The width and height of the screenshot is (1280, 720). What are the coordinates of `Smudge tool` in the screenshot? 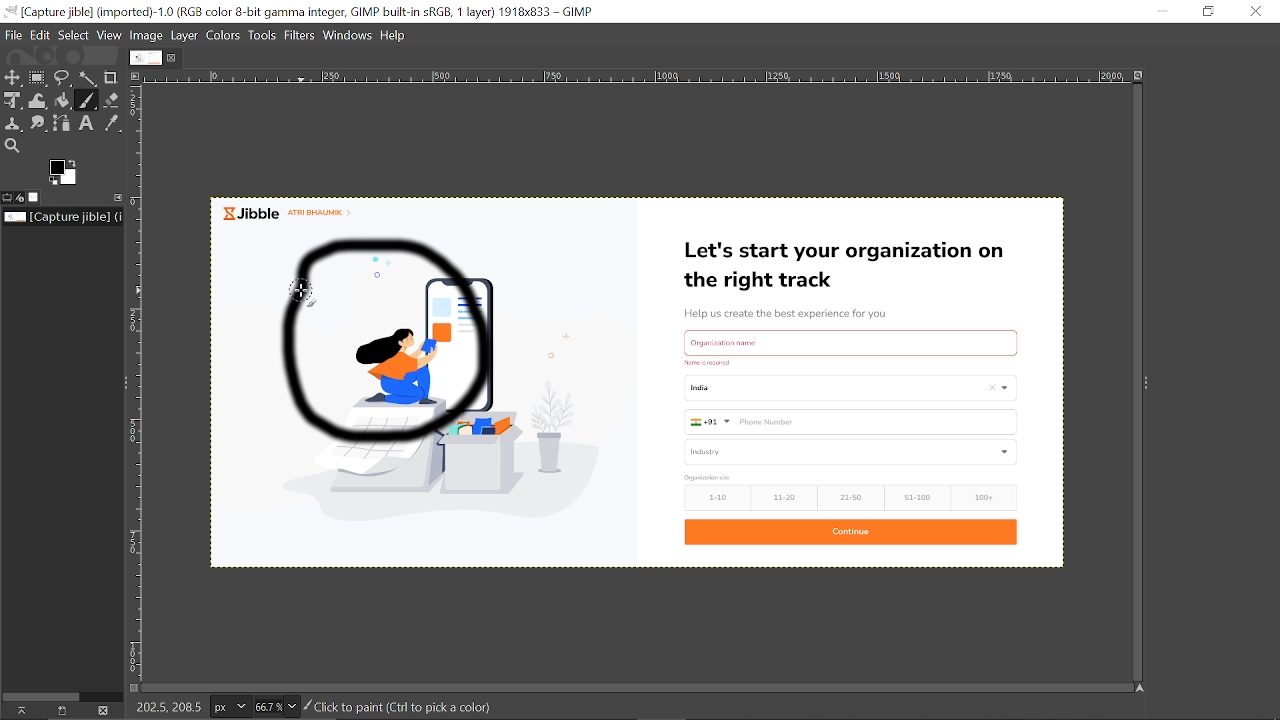 It's located at (40, 122).